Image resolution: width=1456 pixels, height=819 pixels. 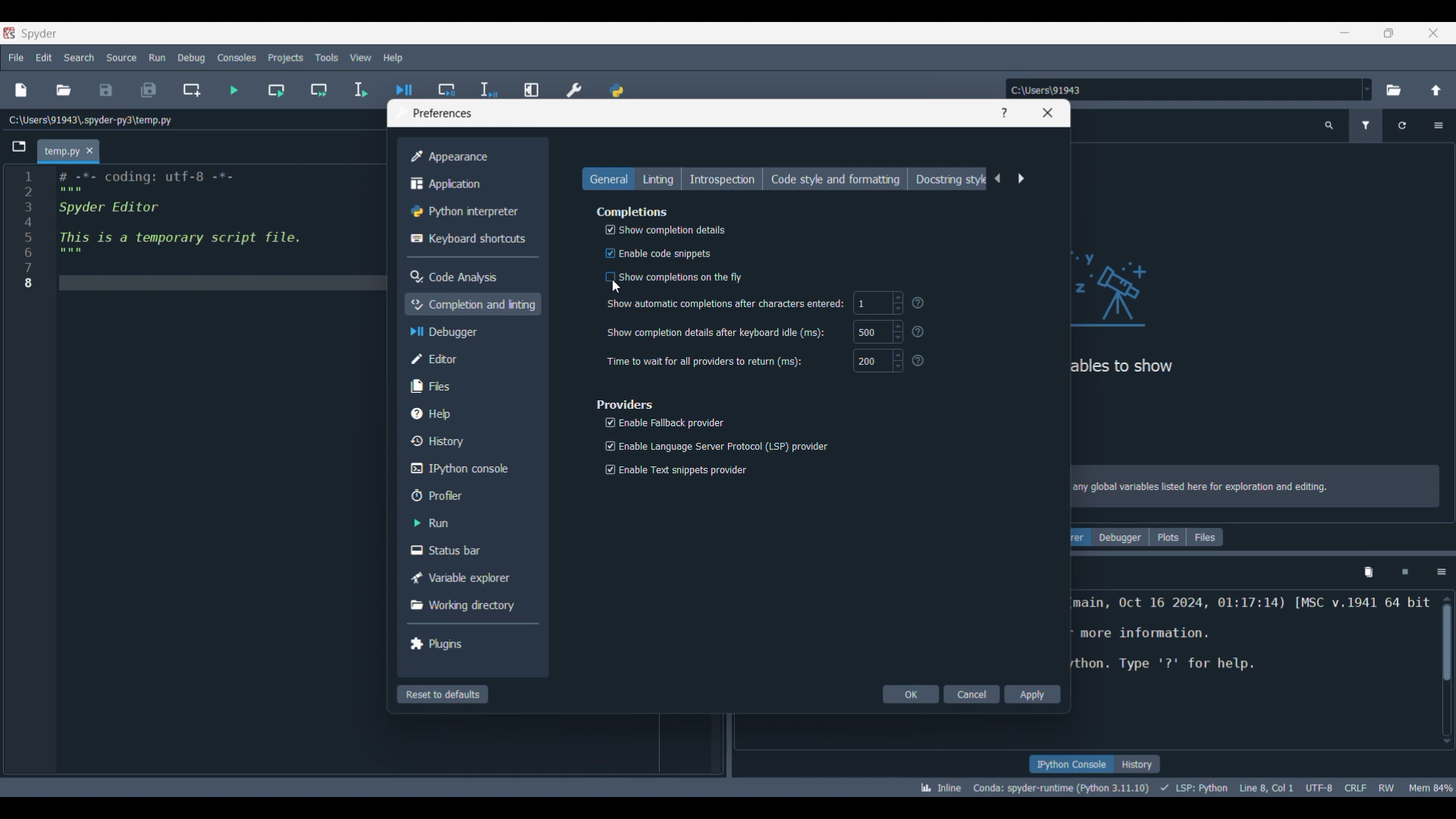 I want to click on Minimize, so click(x=1345, y=33).